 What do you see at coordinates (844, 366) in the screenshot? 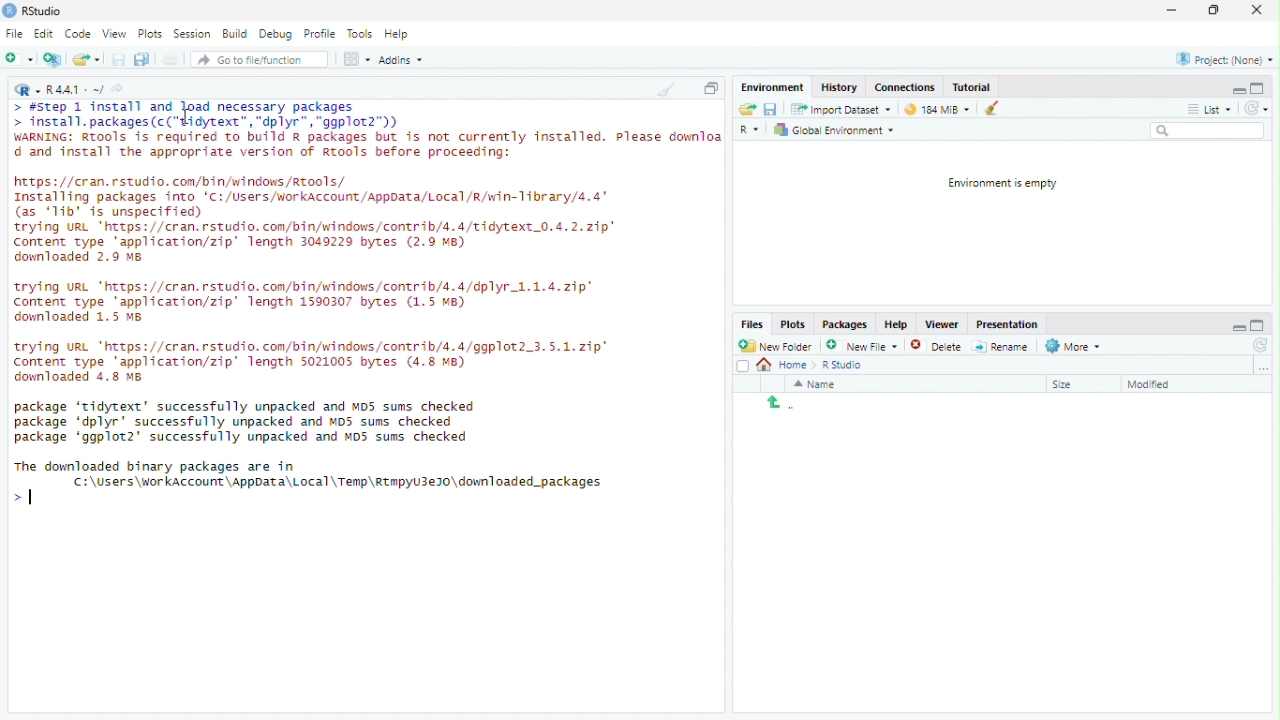
I see `R Studio` at bounding box center [844, 366].